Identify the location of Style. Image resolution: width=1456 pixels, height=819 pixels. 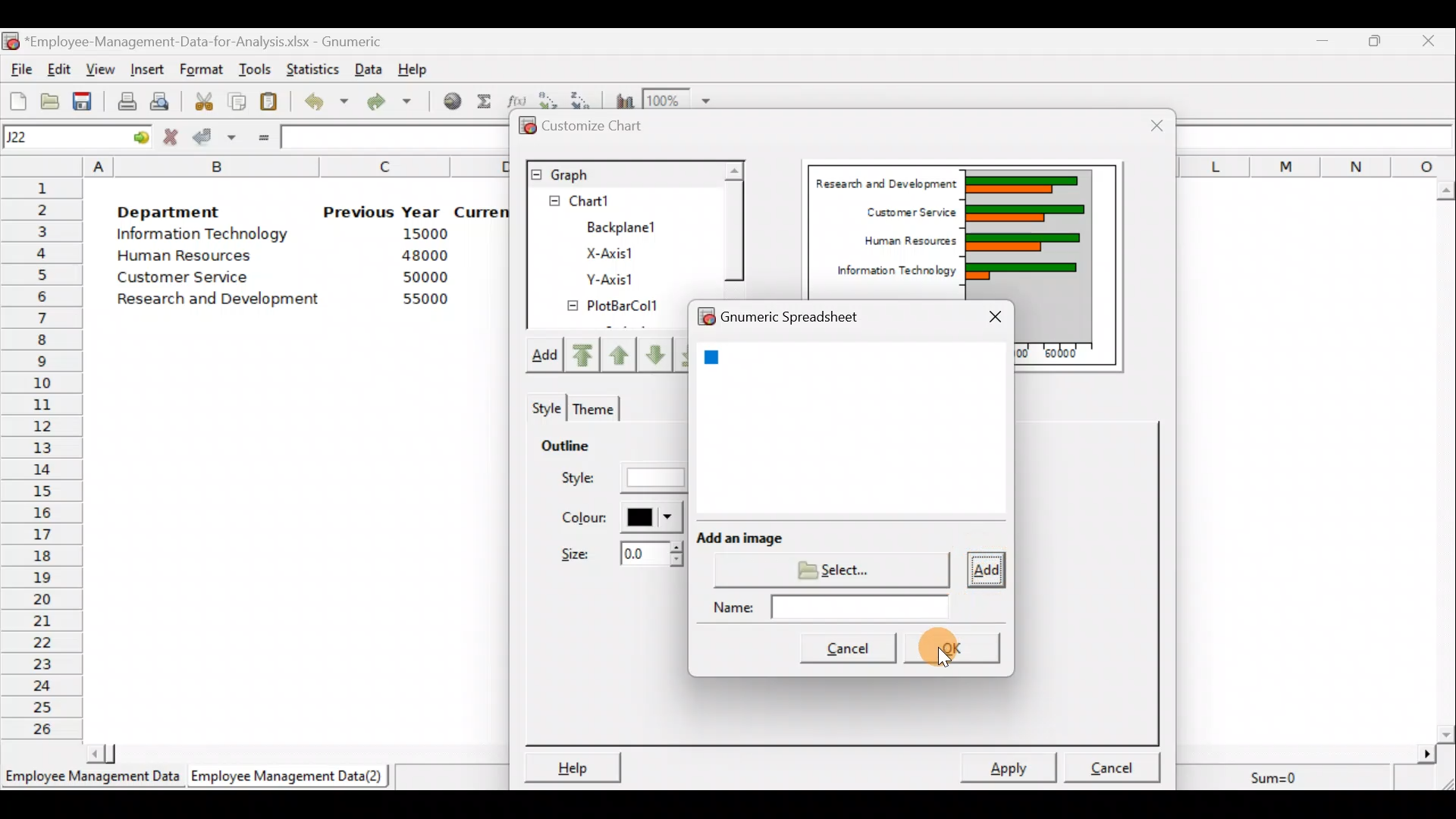
(619, 479).